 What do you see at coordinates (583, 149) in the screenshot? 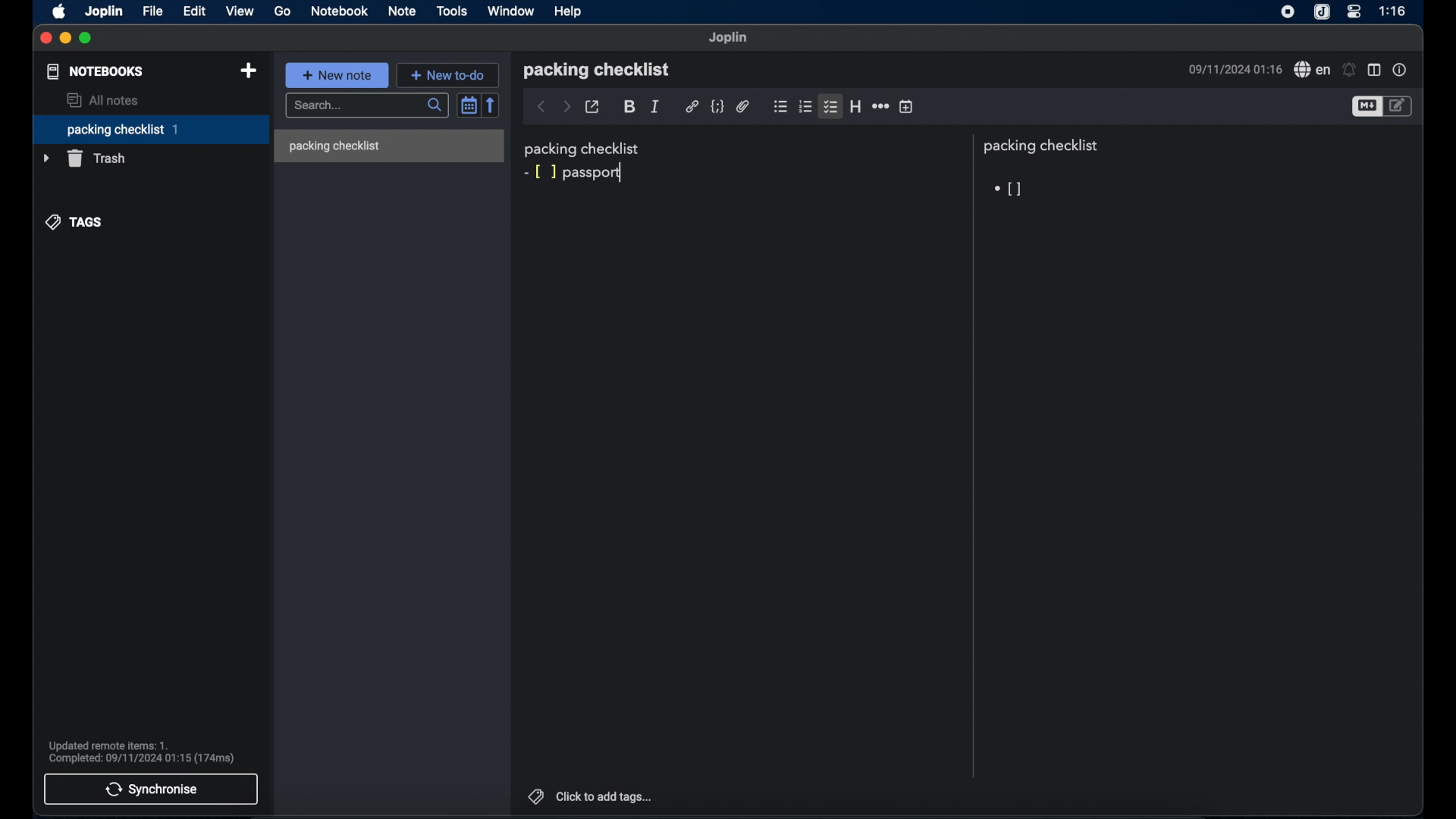
I see `packing checklist` at bounding box center [583, 149].